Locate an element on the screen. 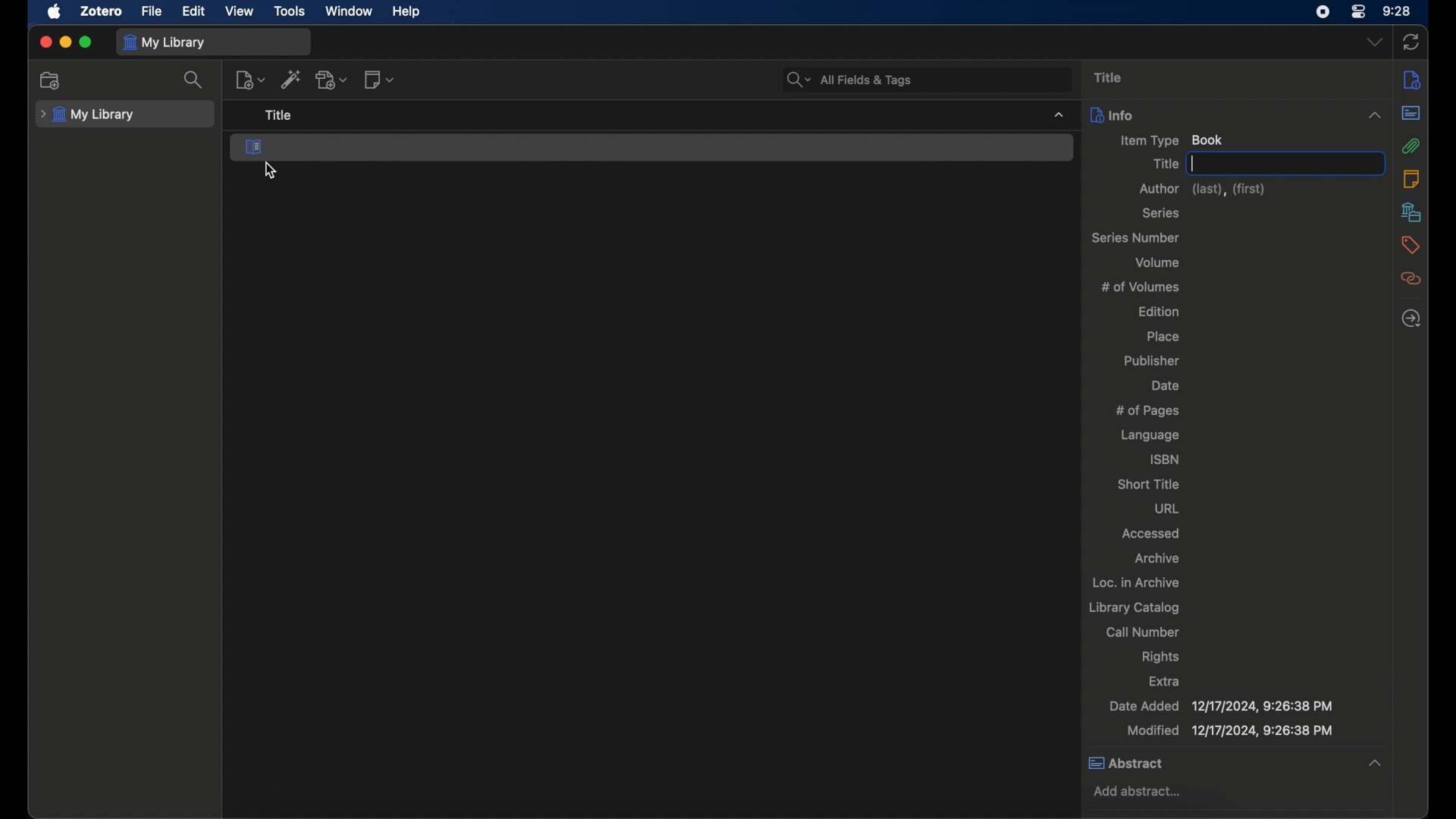  title is located at coordinates (1109, 77).